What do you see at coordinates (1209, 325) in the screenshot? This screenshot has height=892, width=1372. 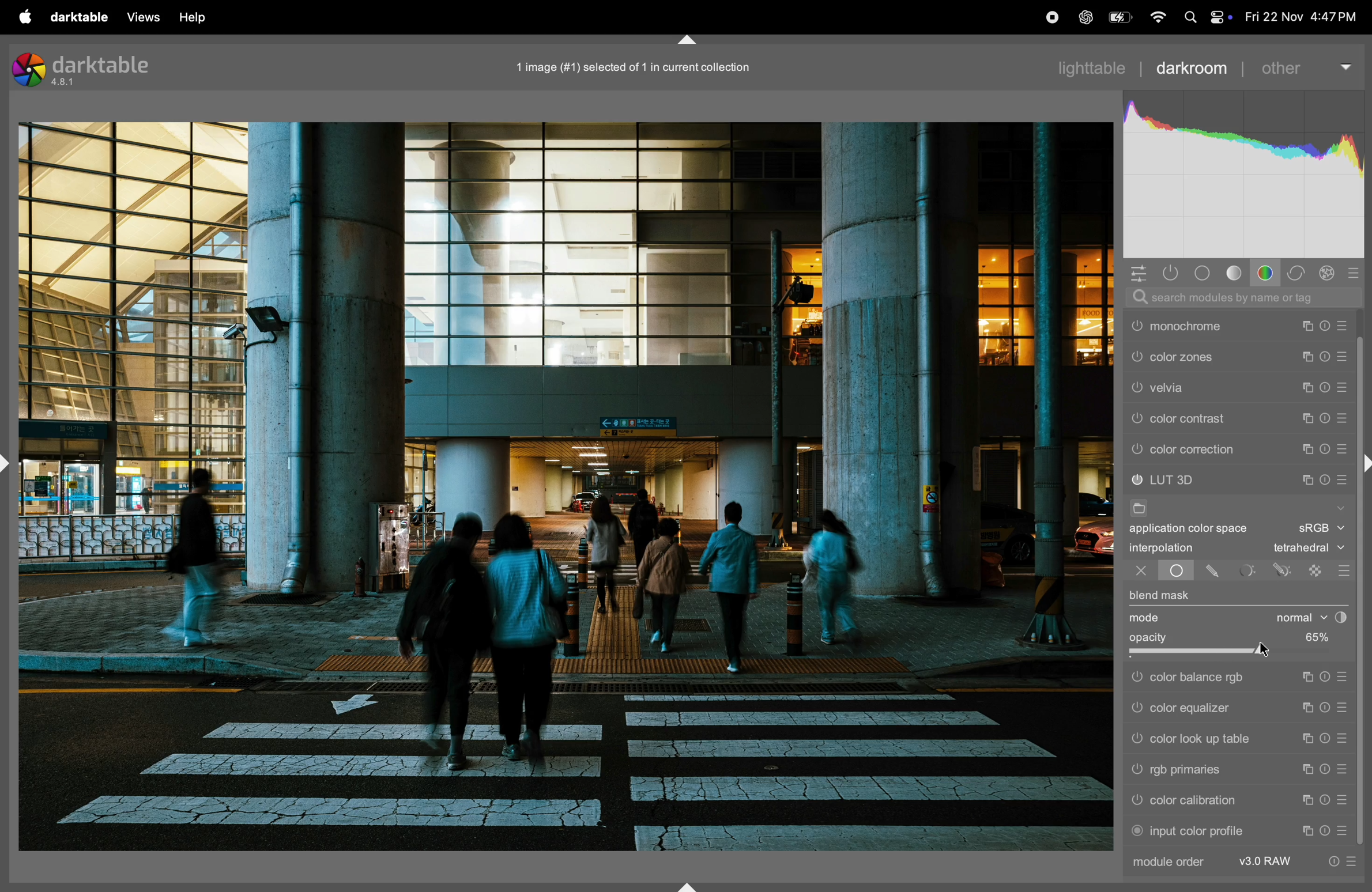 I see `out put color profiles` at bounding box center [1209, 325].